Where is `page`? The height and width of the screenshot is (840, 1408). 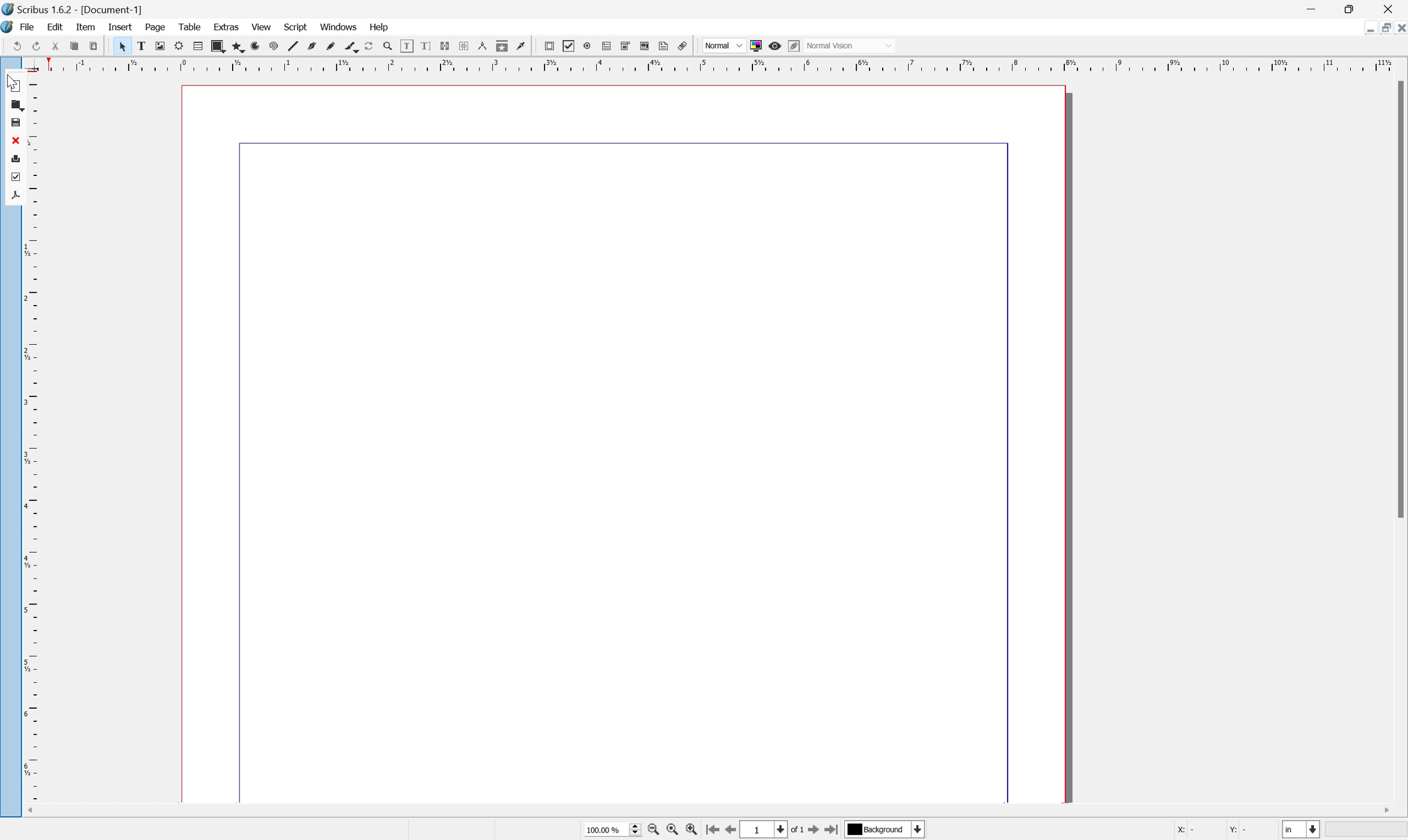 page is located at coordinates (156, 27).